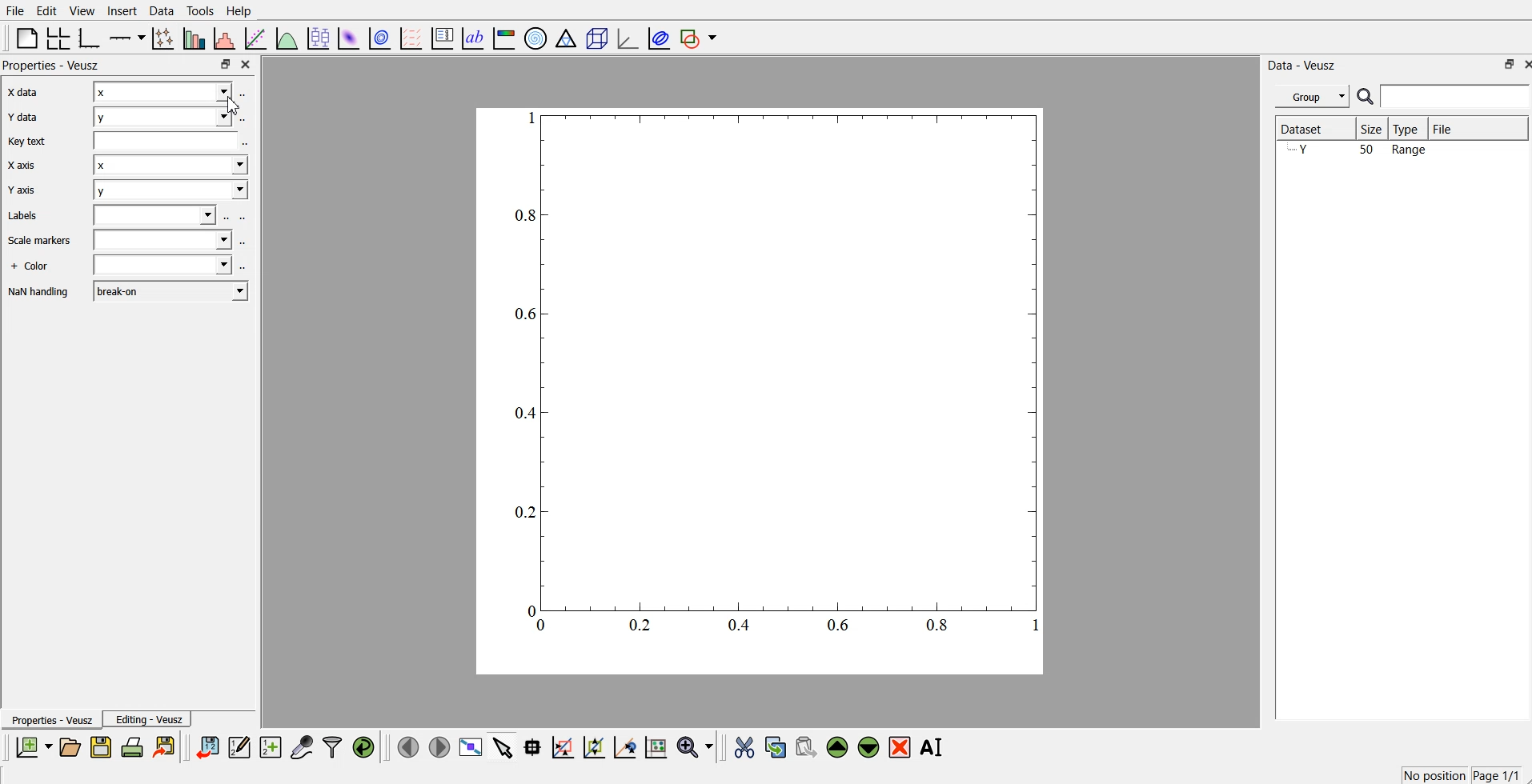 This screenshot has height=784, width=1532. I want to click on Add an axis, so click(128, 37).